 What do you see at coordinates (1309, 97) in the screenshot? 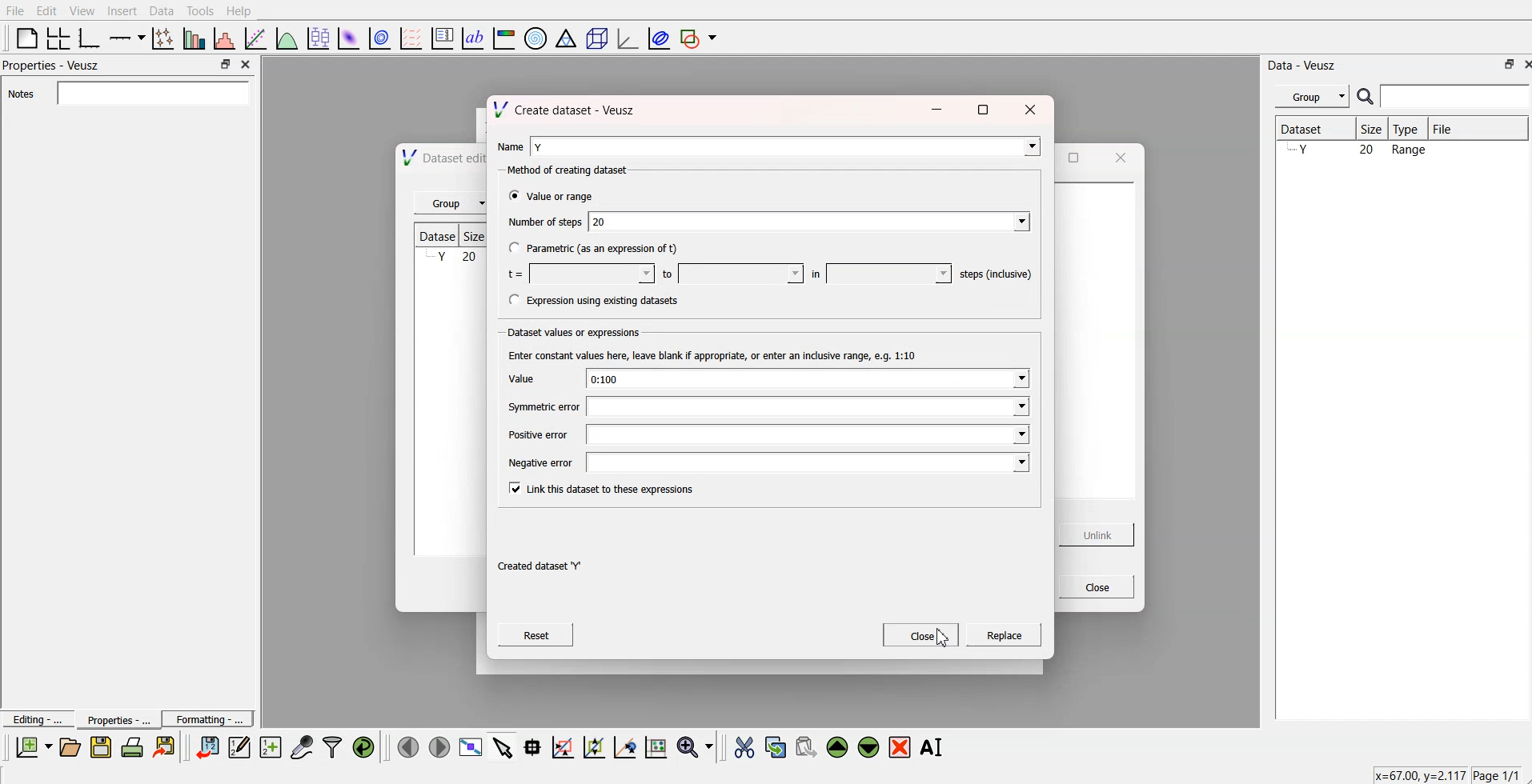
I see `Group` at bounding box center [1309, 97].